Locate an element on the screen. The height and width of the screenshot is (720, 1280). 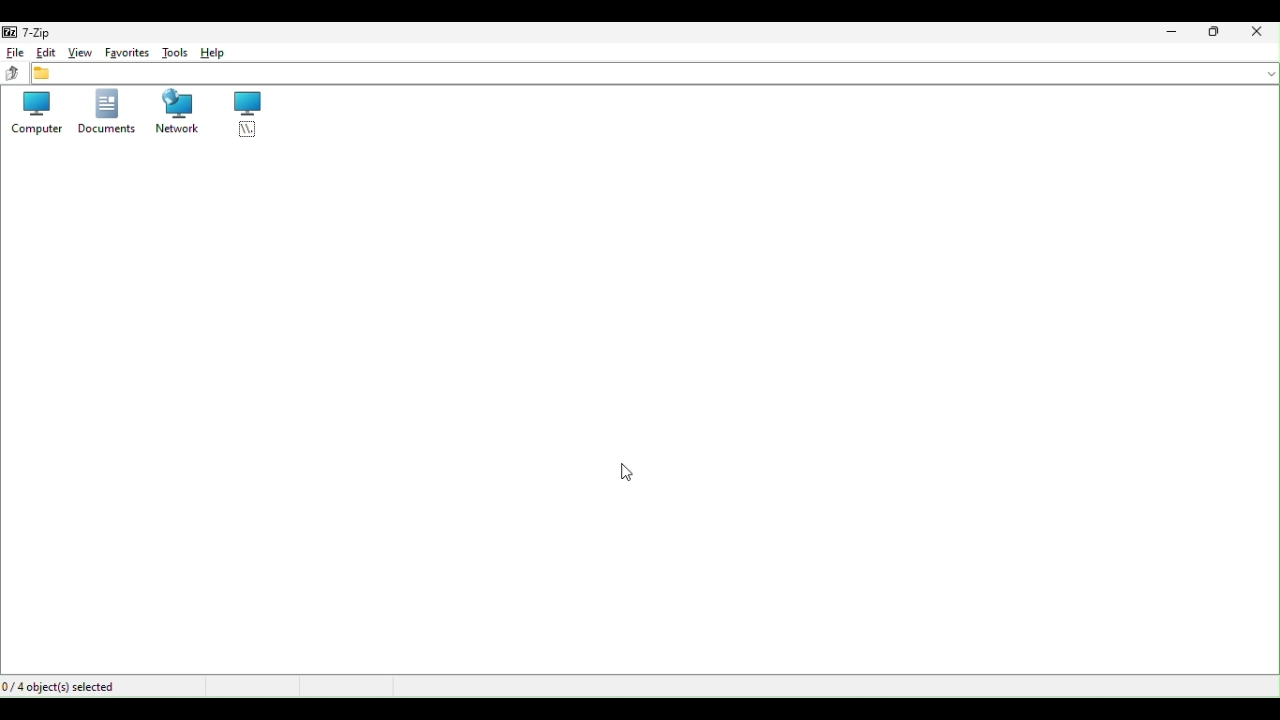
File is located at coordinates (13, 53).